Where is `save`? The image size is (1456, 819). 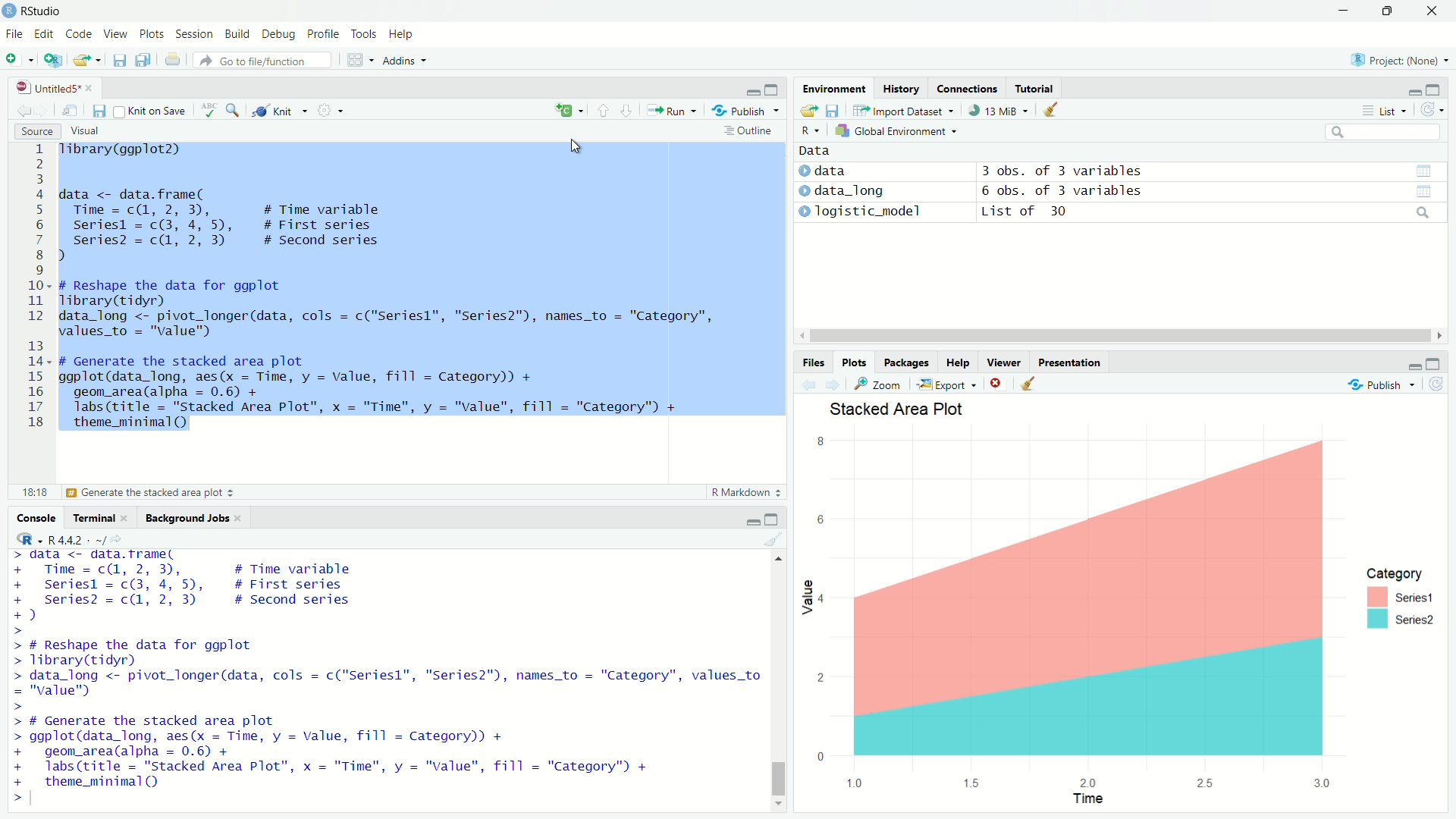
save is located at coordinates (808, 111).